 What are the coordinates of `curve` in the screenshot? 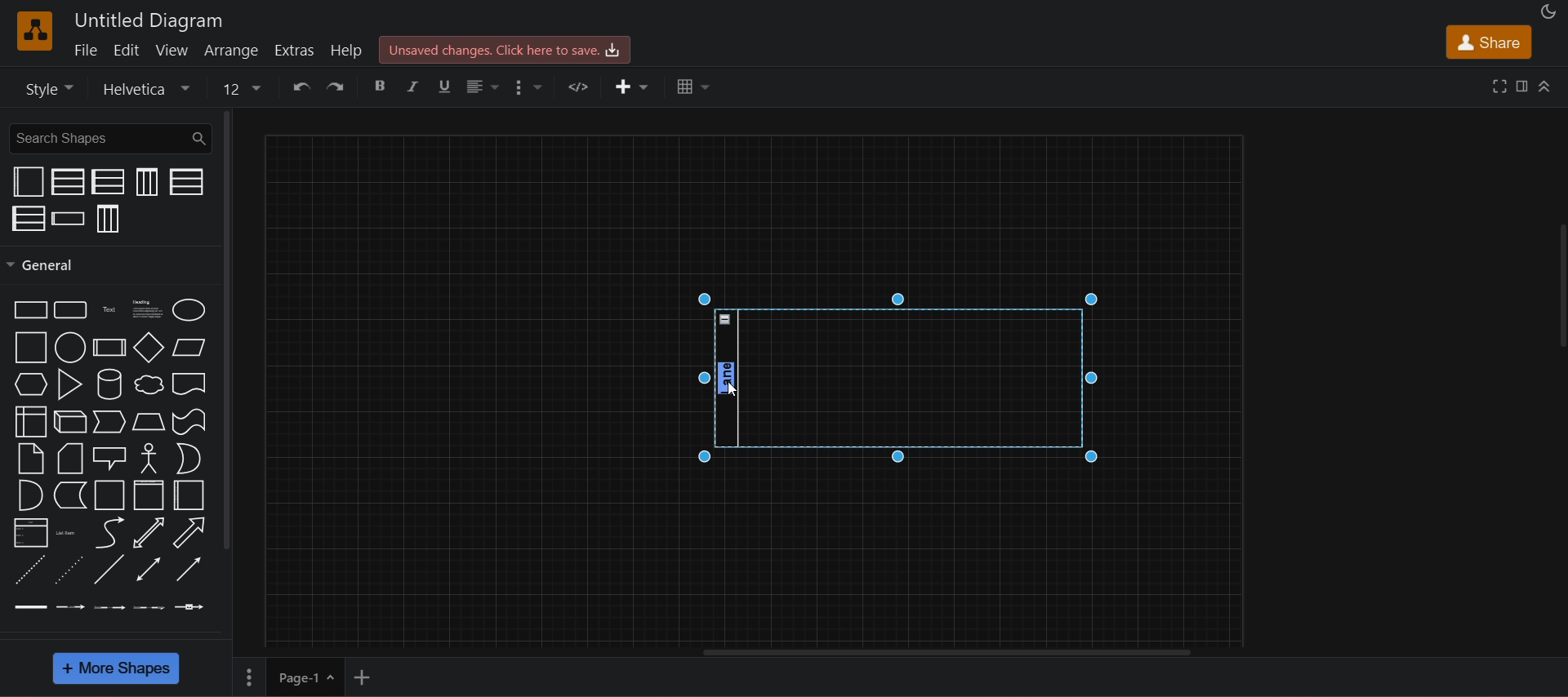 It's located at (106, 532).